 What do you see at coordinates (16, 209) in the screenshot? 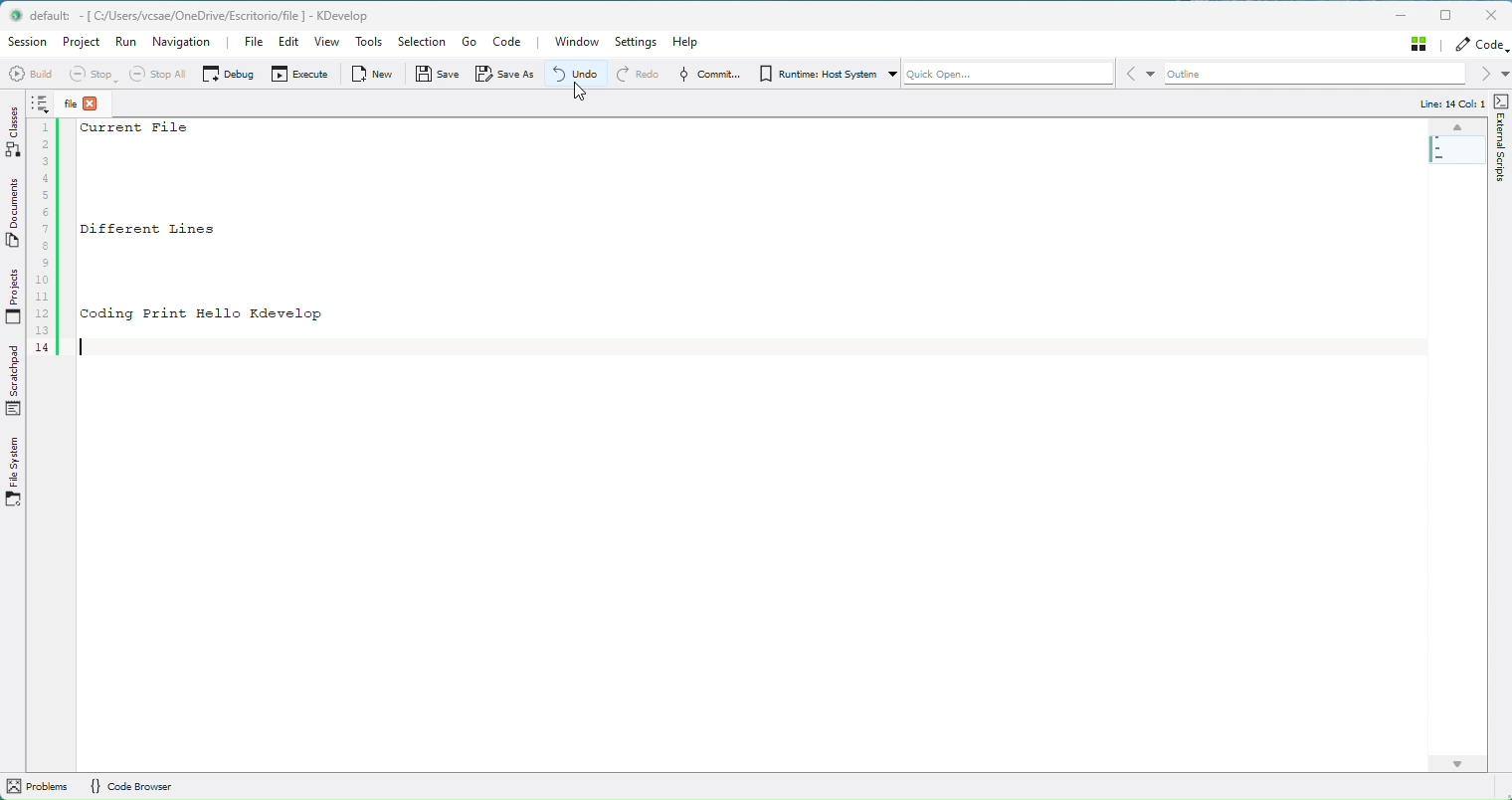
I see `Documents` at bounding box center [16, 209].